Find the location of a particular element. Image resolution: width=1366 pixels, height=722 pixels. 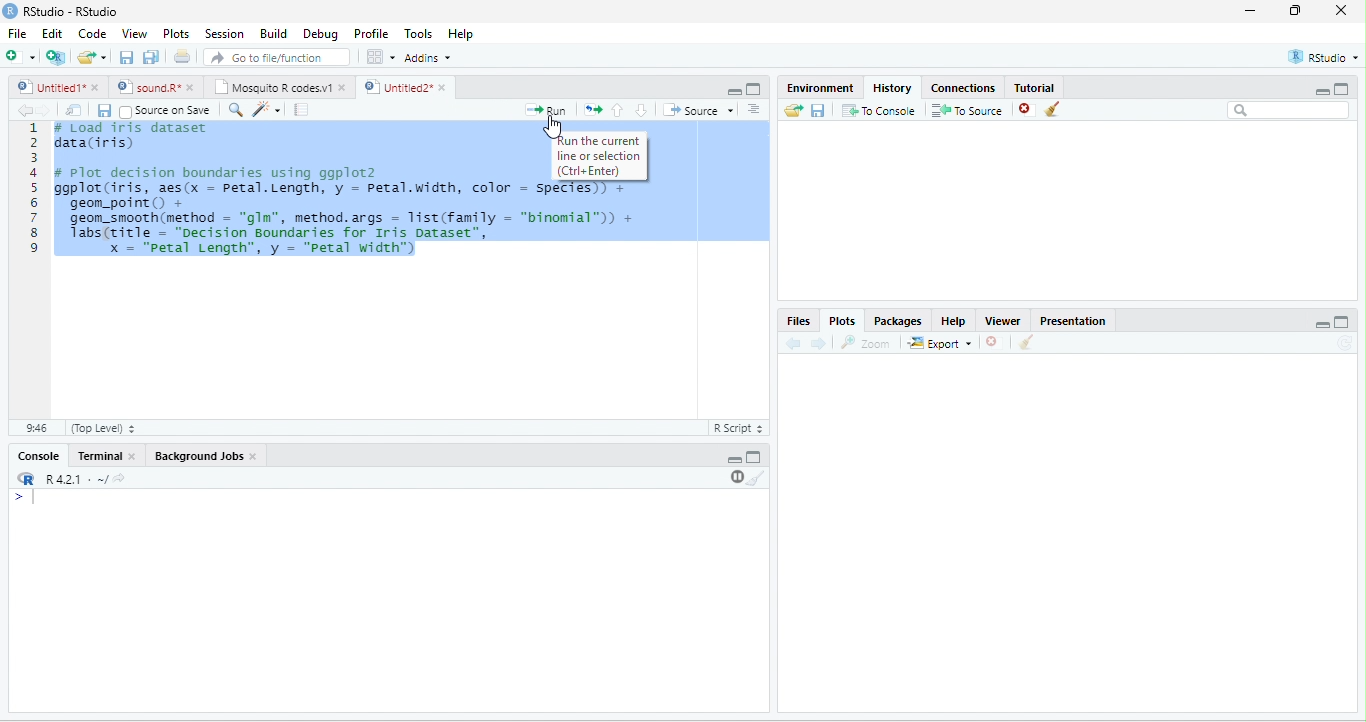

Source on Save is located at coordinates (164, 111).